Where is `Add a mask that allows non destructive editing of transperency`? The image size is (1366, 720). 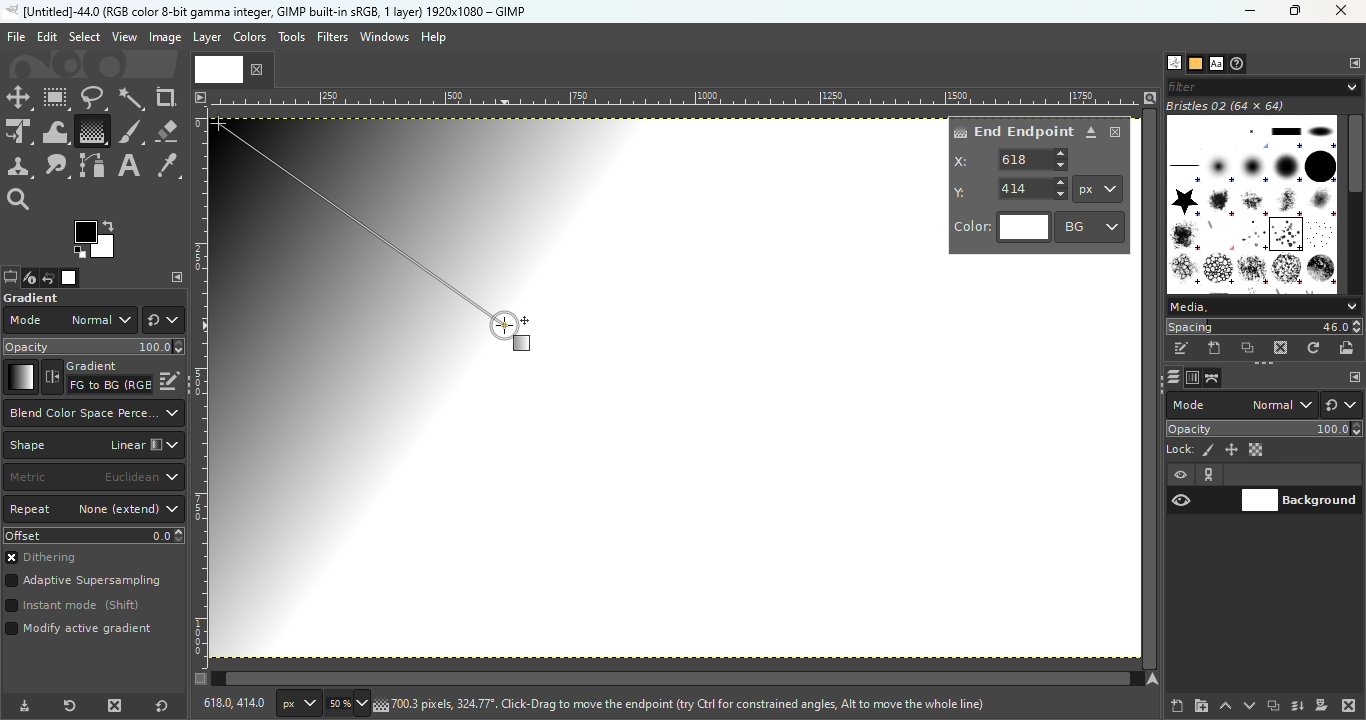
Add a mask that allows non destructive editing of transperency is located at coordinates (1322, 705).